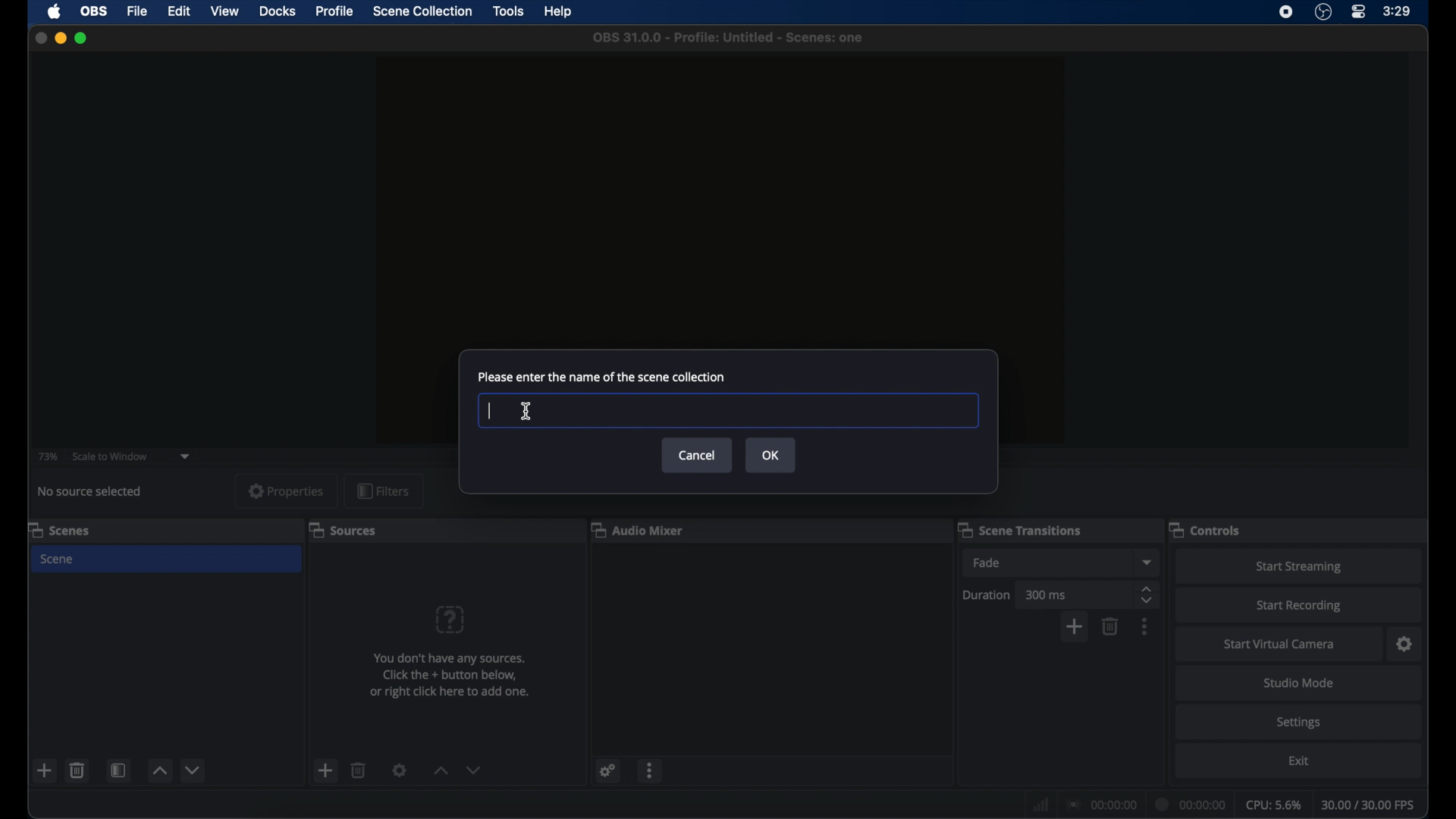 This screenshot has width=1456, height=819. What do you see at coordinates (451, 620) in the screenshot?
I see `question mark icon` at bounding box center [451, 620].